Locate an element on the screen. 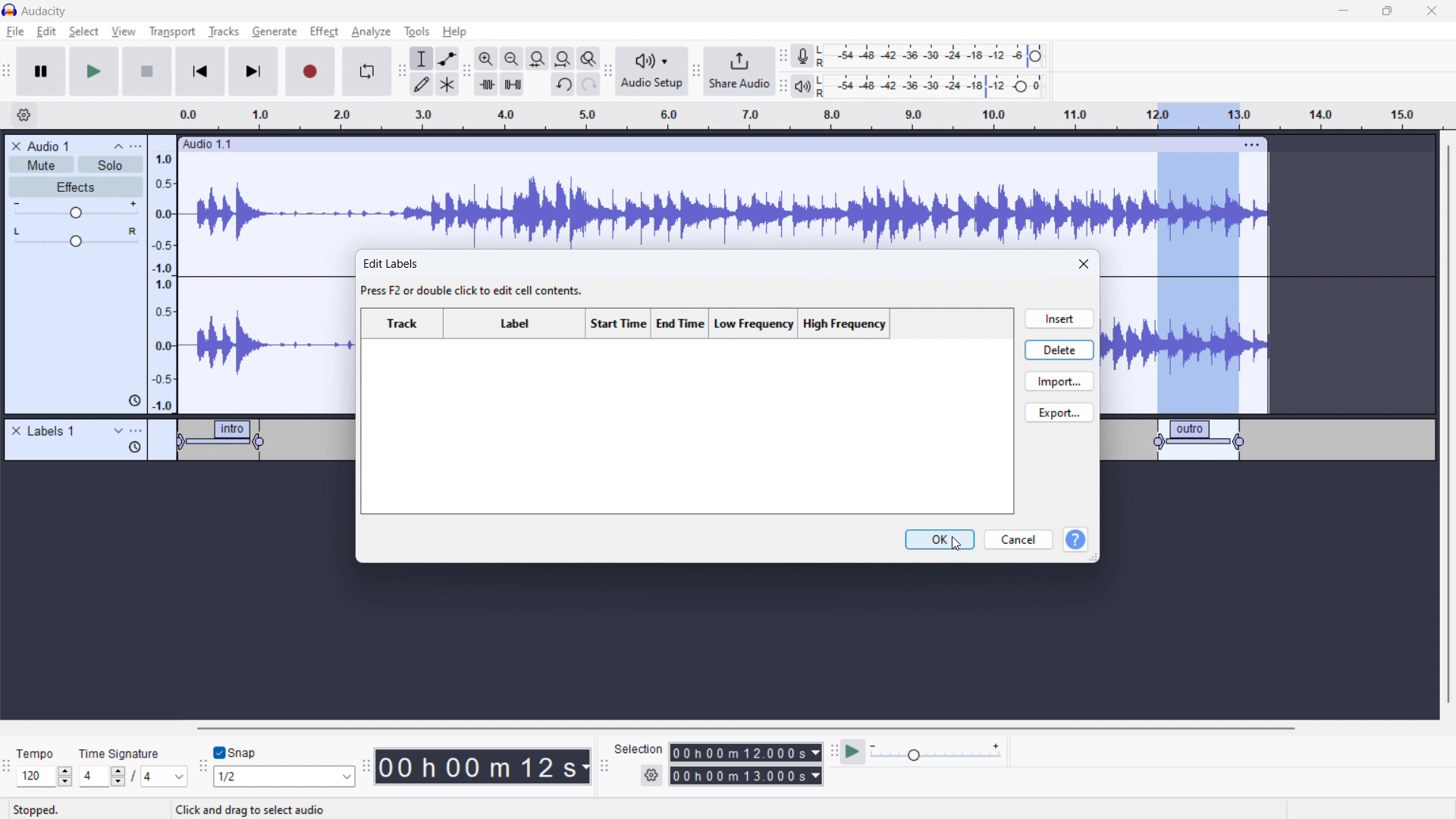 This screenshot has height=819, width=1456. tools is located at coordinates (415, 31).